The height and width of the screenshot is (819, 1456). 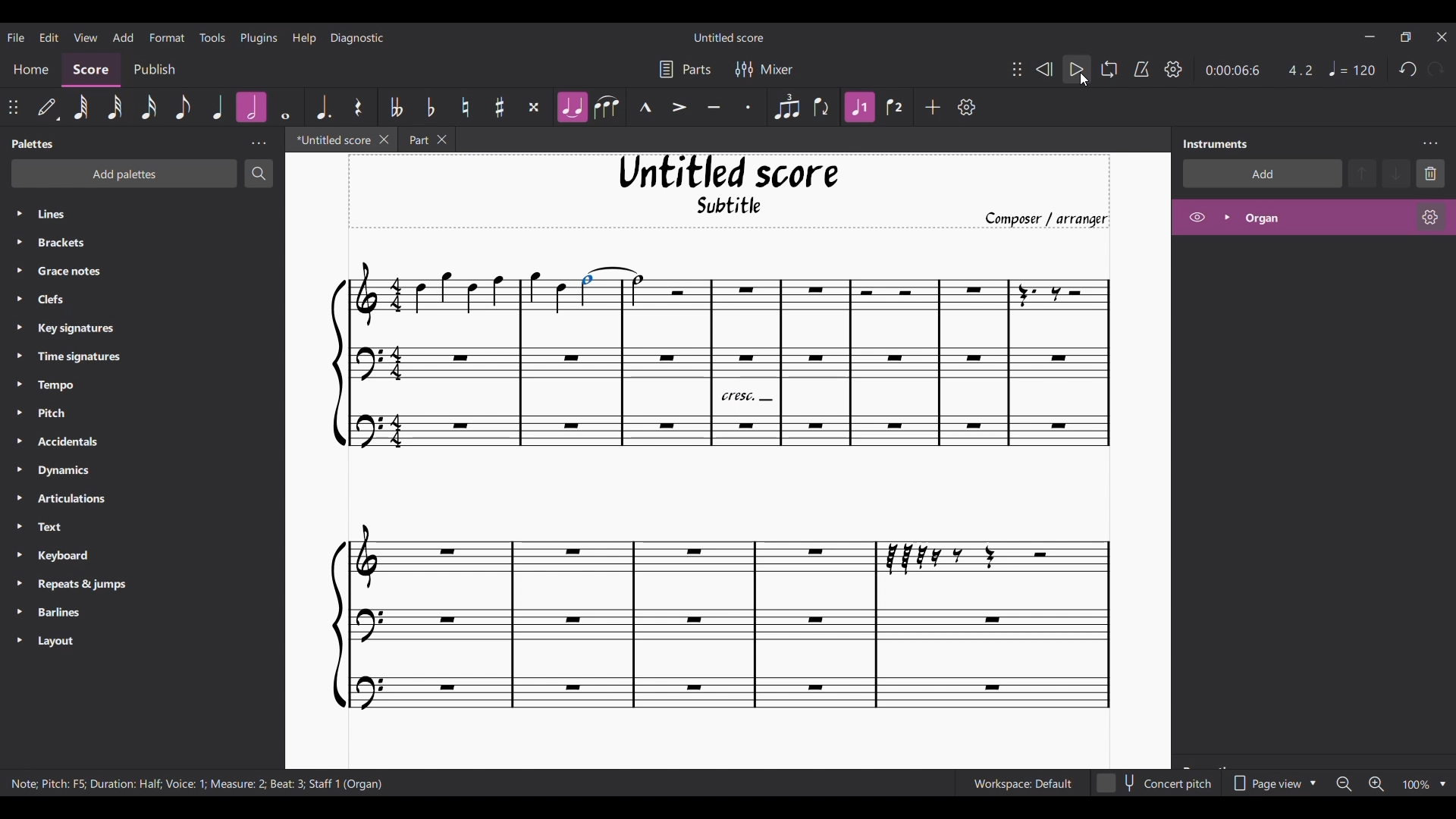 What do you see at coordinates (379, 139) in the screenshot?
I see `Close current tab` at bounding box center [379, 139].